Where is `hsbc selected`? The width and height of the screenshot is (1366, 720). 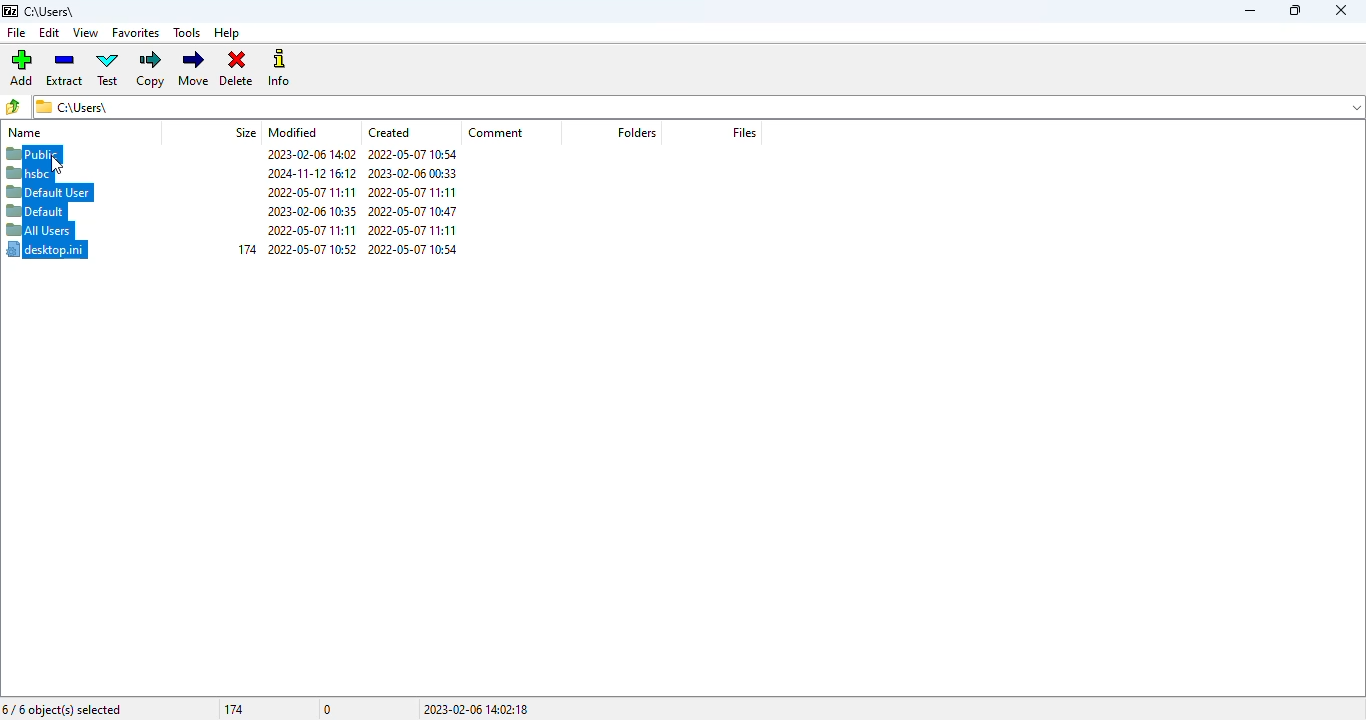 hsbc selected is located at coordinates (30, 174).